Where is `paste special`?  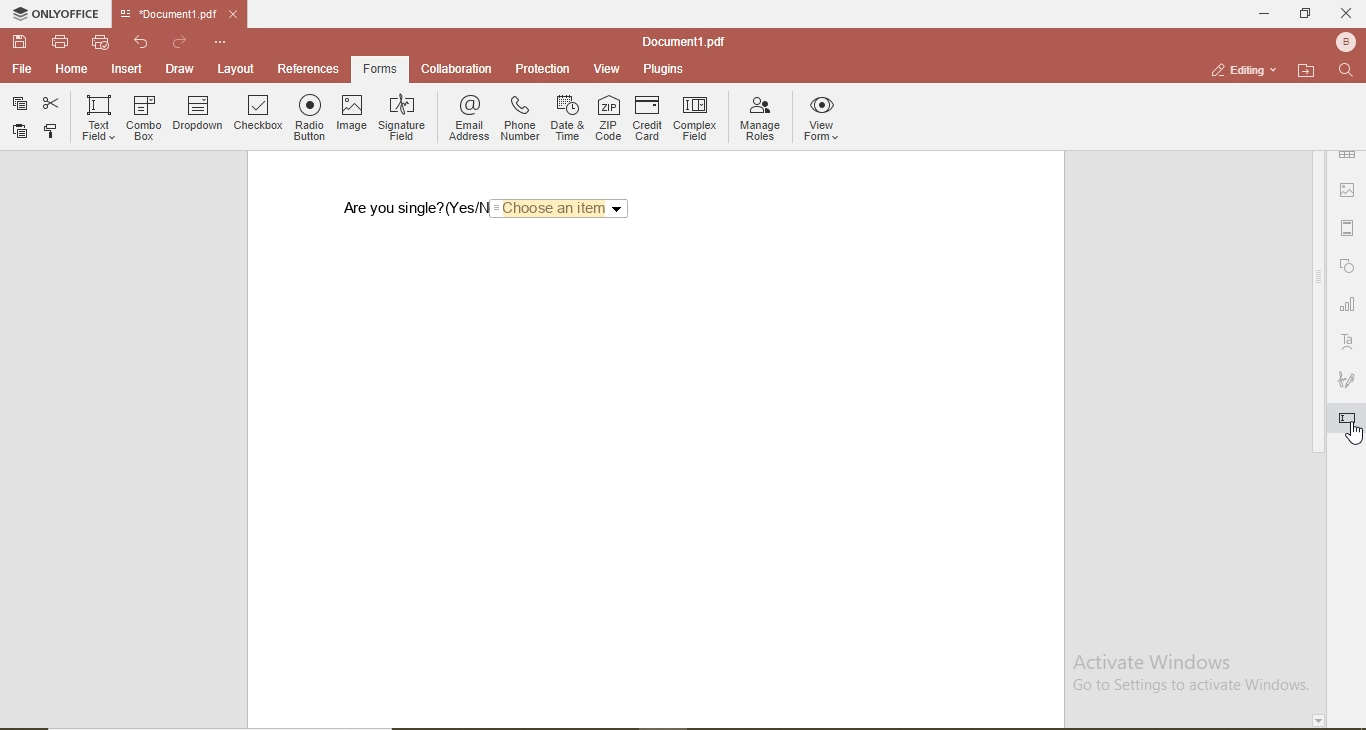
paste special is located at coordinates (22, 104).